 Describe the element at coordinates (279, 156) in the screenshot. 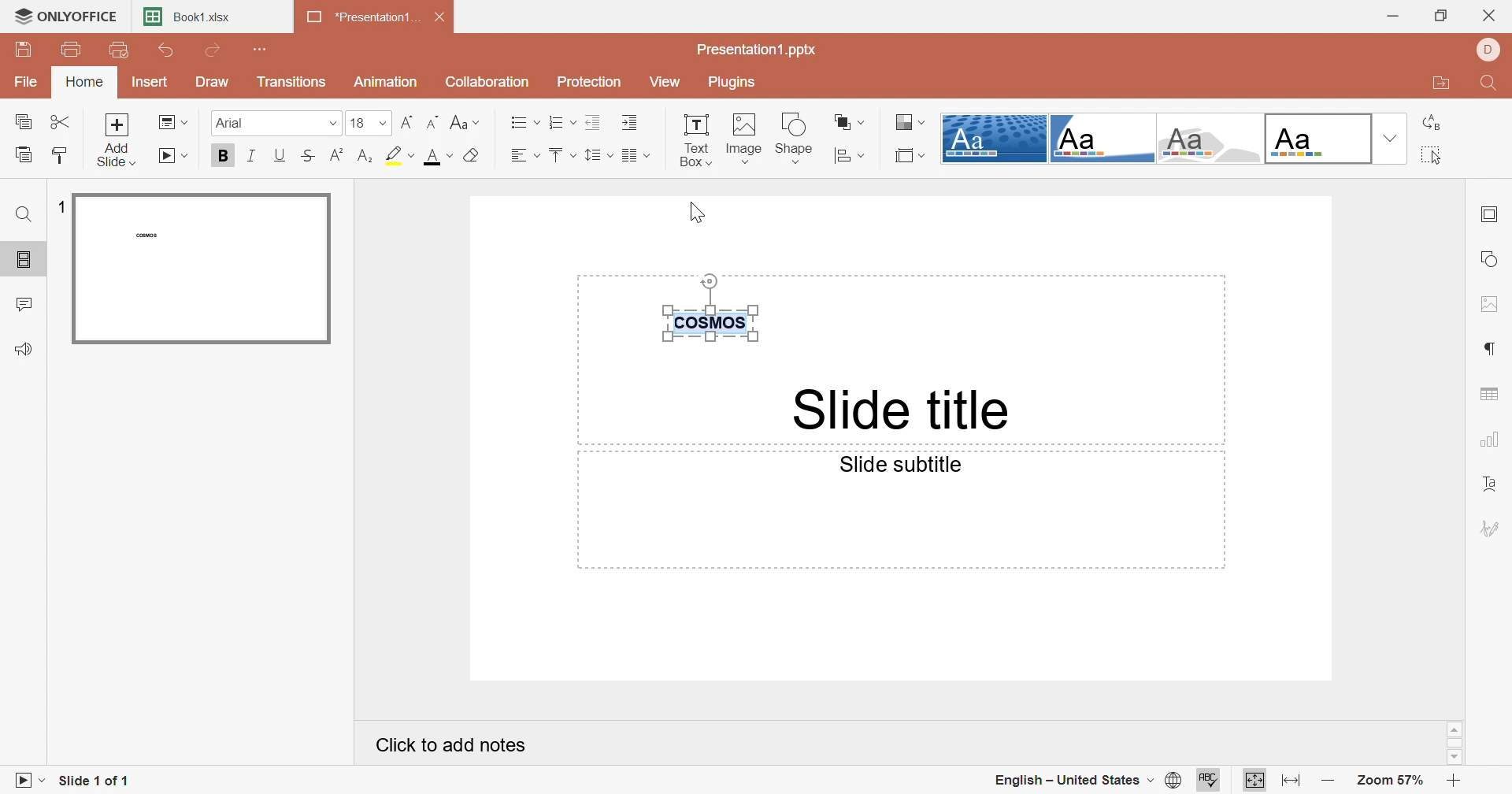

I see `Underline` at that location.